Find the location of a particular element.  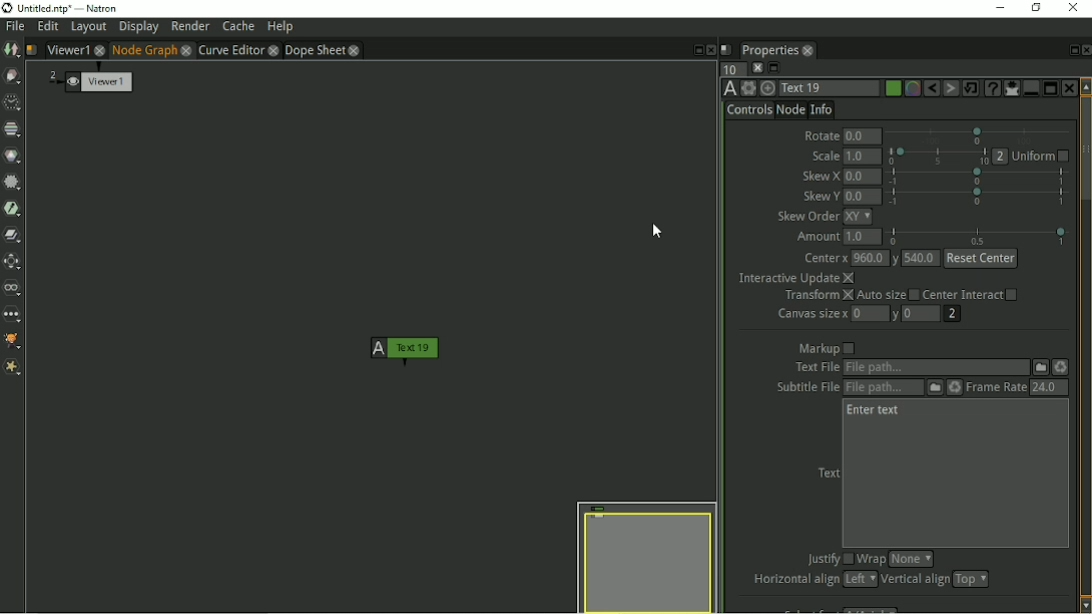

Text is located at coordinates (827, 473).